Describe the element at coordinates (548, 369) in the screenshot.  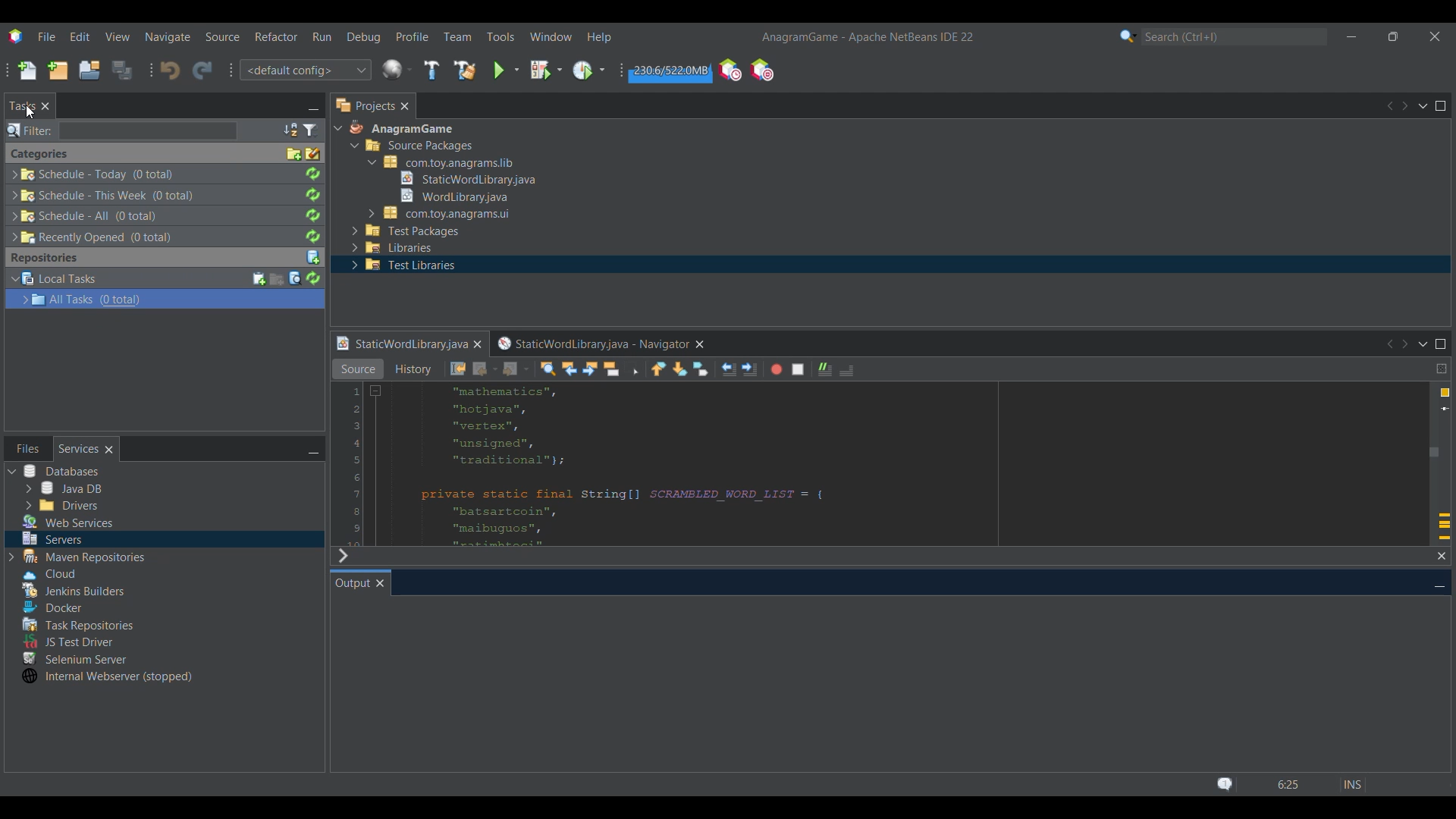
I see `Find selection` at that location.